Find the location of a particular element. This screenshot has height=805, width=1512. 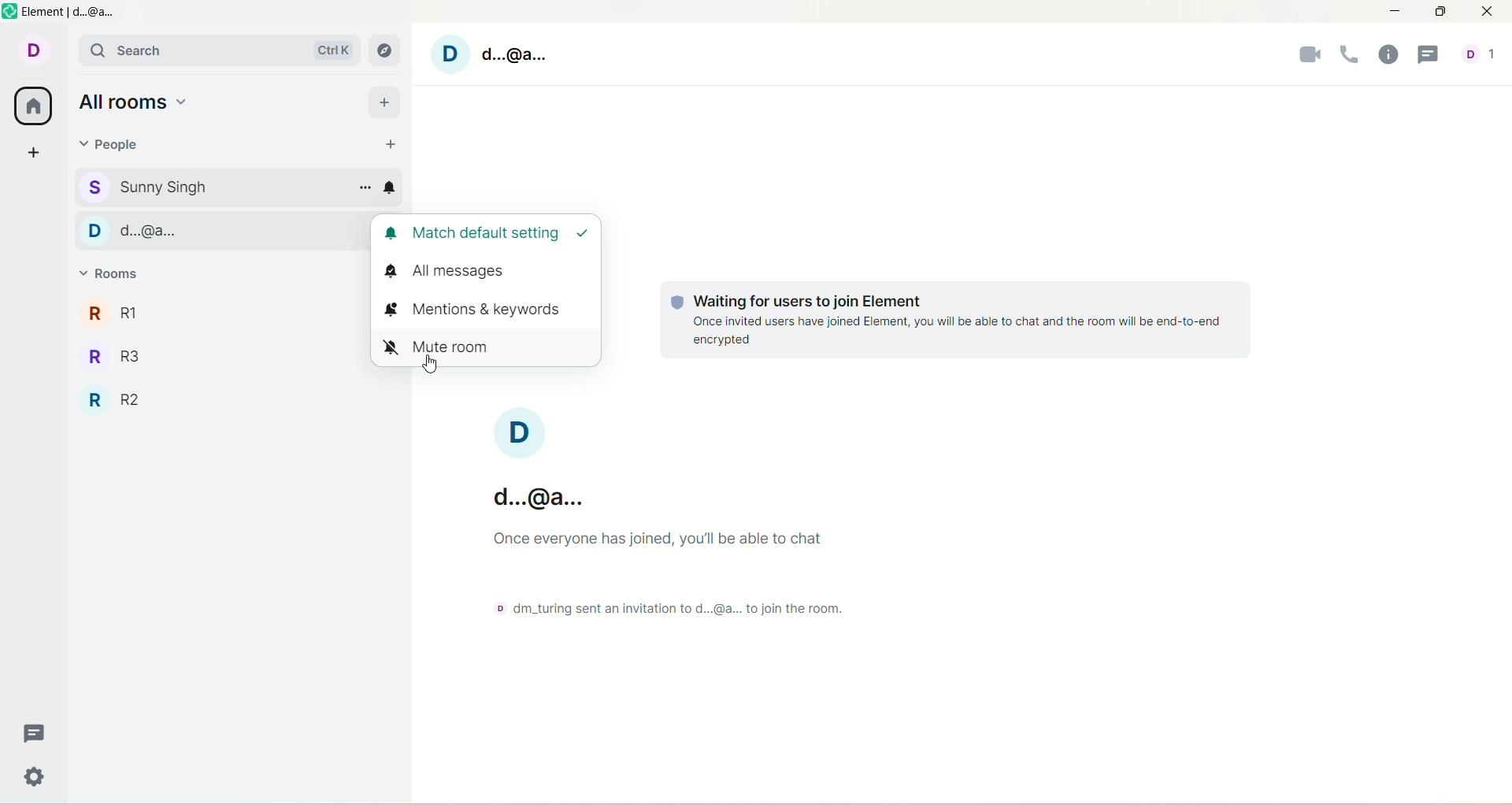

text is located at coordinates (948, 321).